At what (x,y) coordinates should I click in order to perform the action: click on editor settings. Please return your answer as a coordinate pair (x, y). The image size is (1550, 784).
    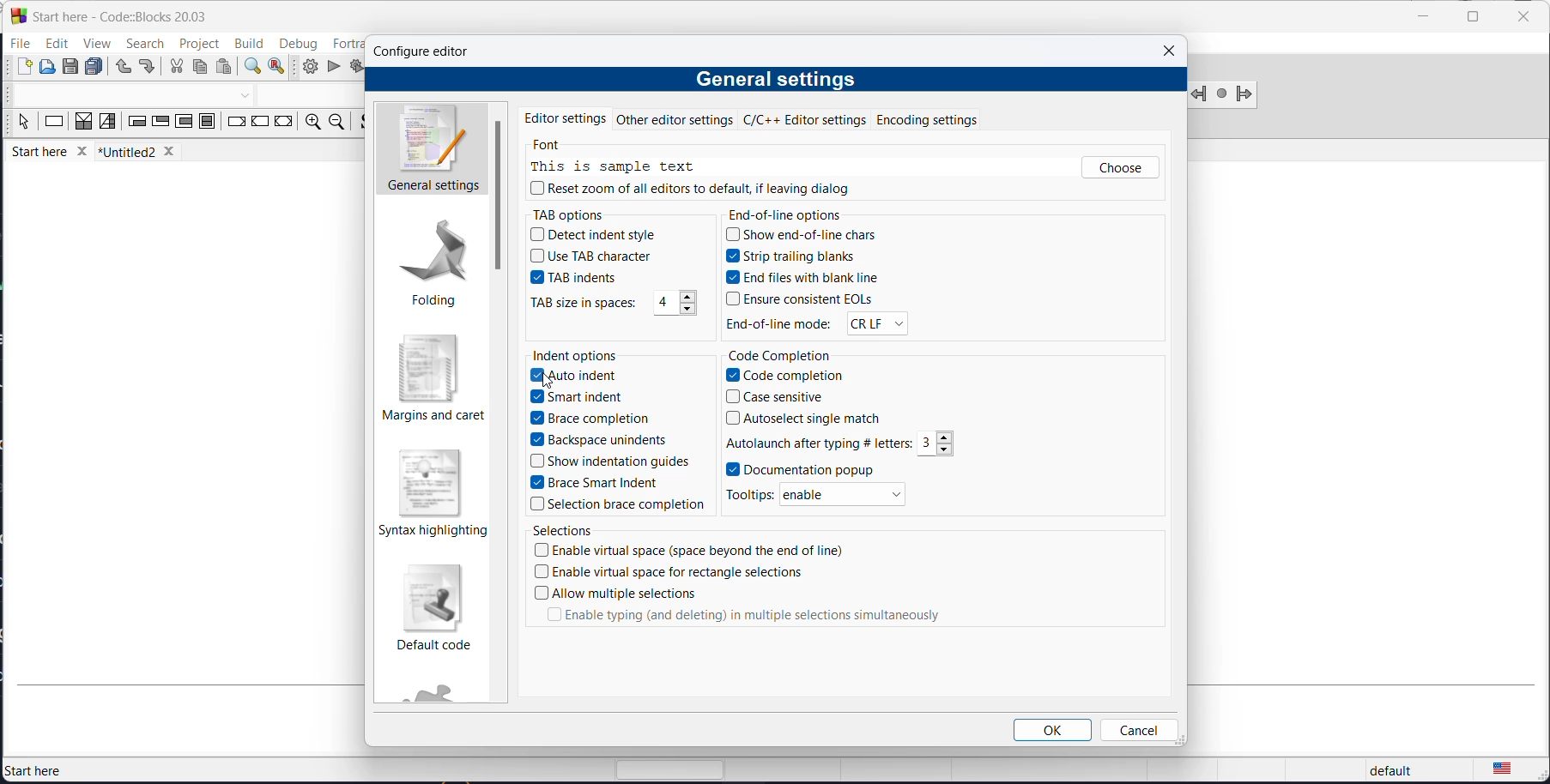
    Looking at the image, I should click on (566, 117).